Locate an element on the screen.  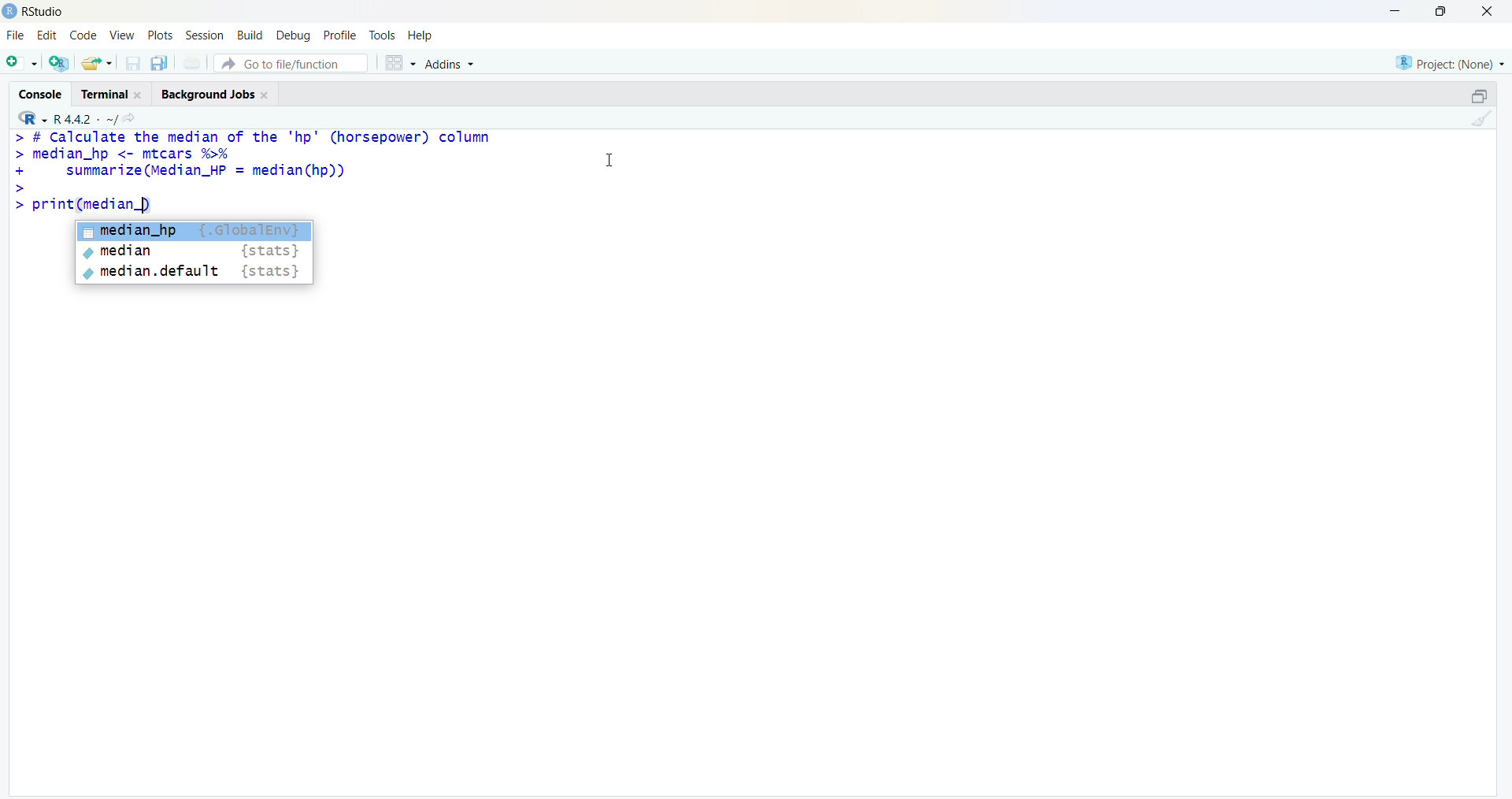
logo is located at coordinates (9, 12).